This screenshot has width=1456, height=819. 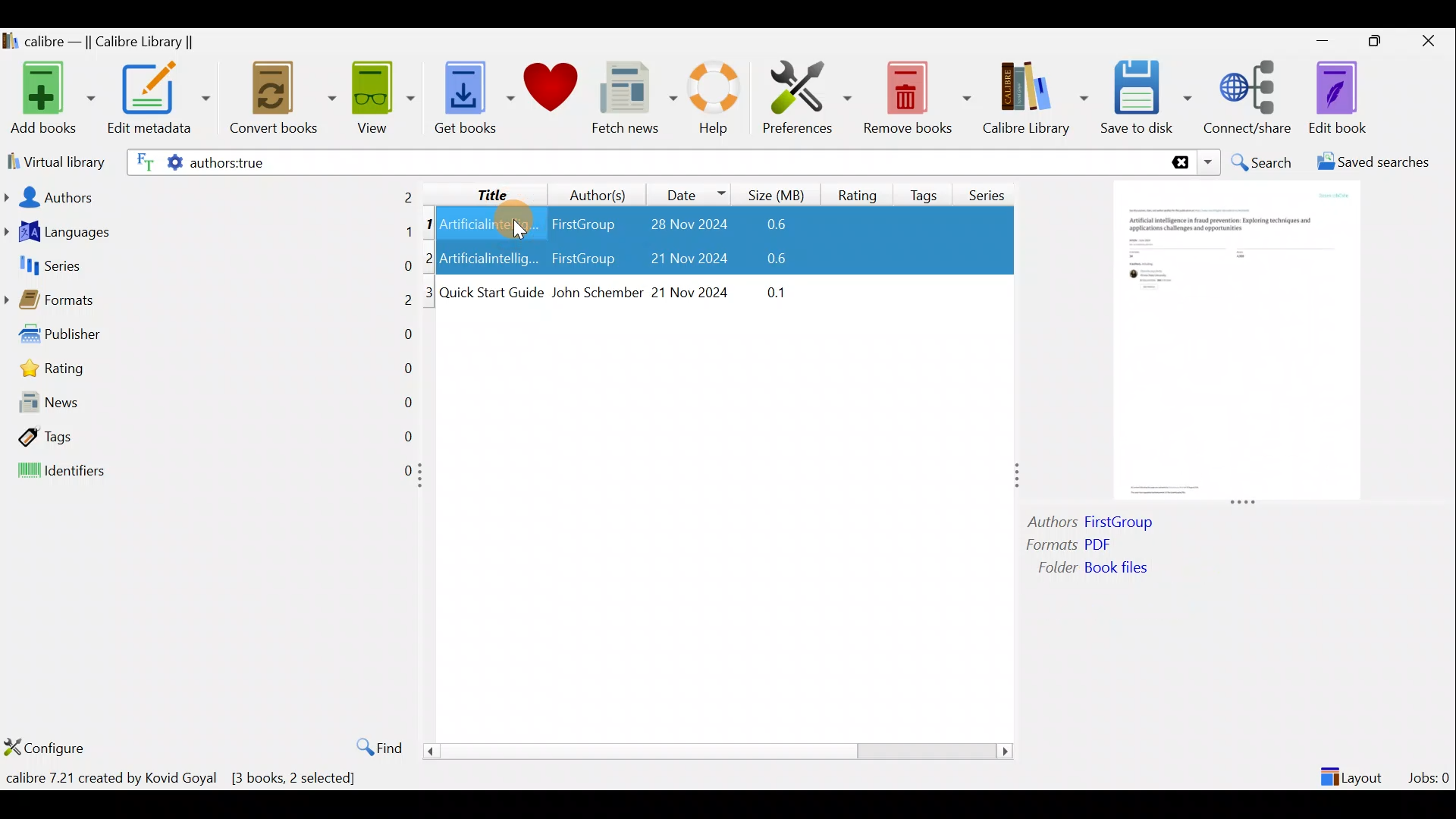 What do you see at coordinates (209, 406) in the screenshot?
I see `News` at bounding box center [209, 406].